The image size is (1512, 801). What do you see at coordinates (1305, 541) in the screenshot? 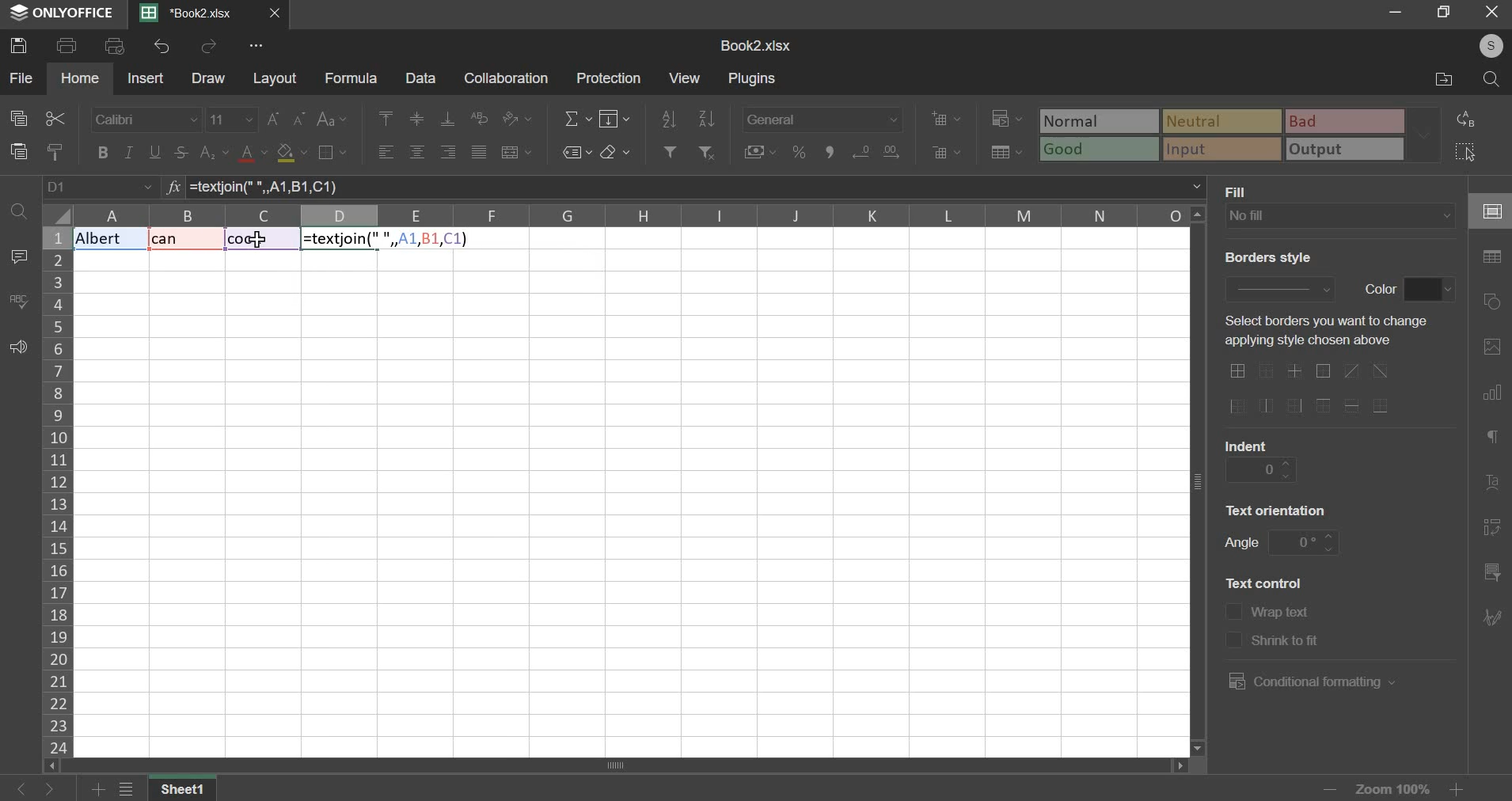
I see `angle` at bounding box center [1305, 541].